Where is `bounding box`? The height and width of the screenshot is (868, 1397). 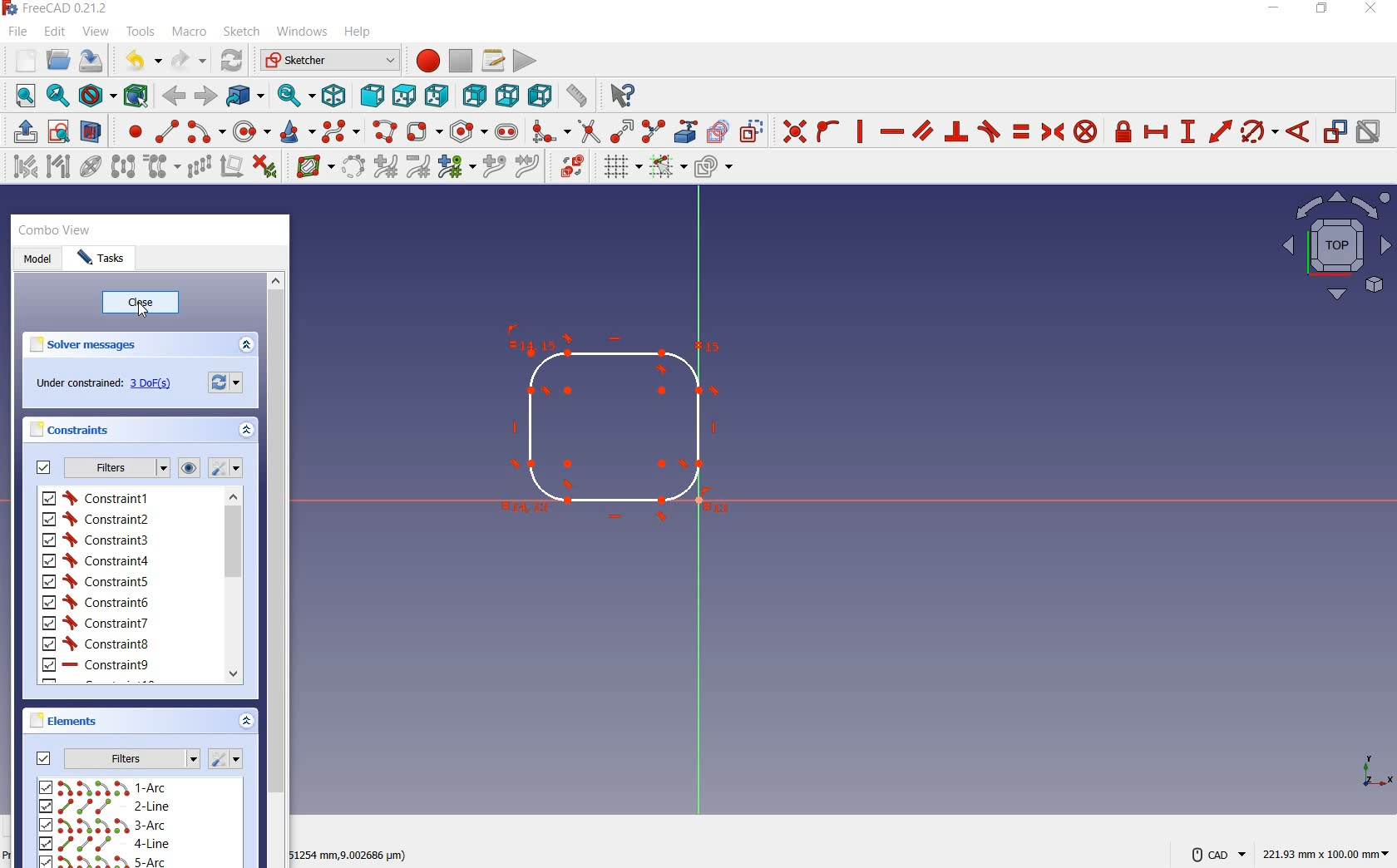
bounding box is located at coordinates (136, 94).